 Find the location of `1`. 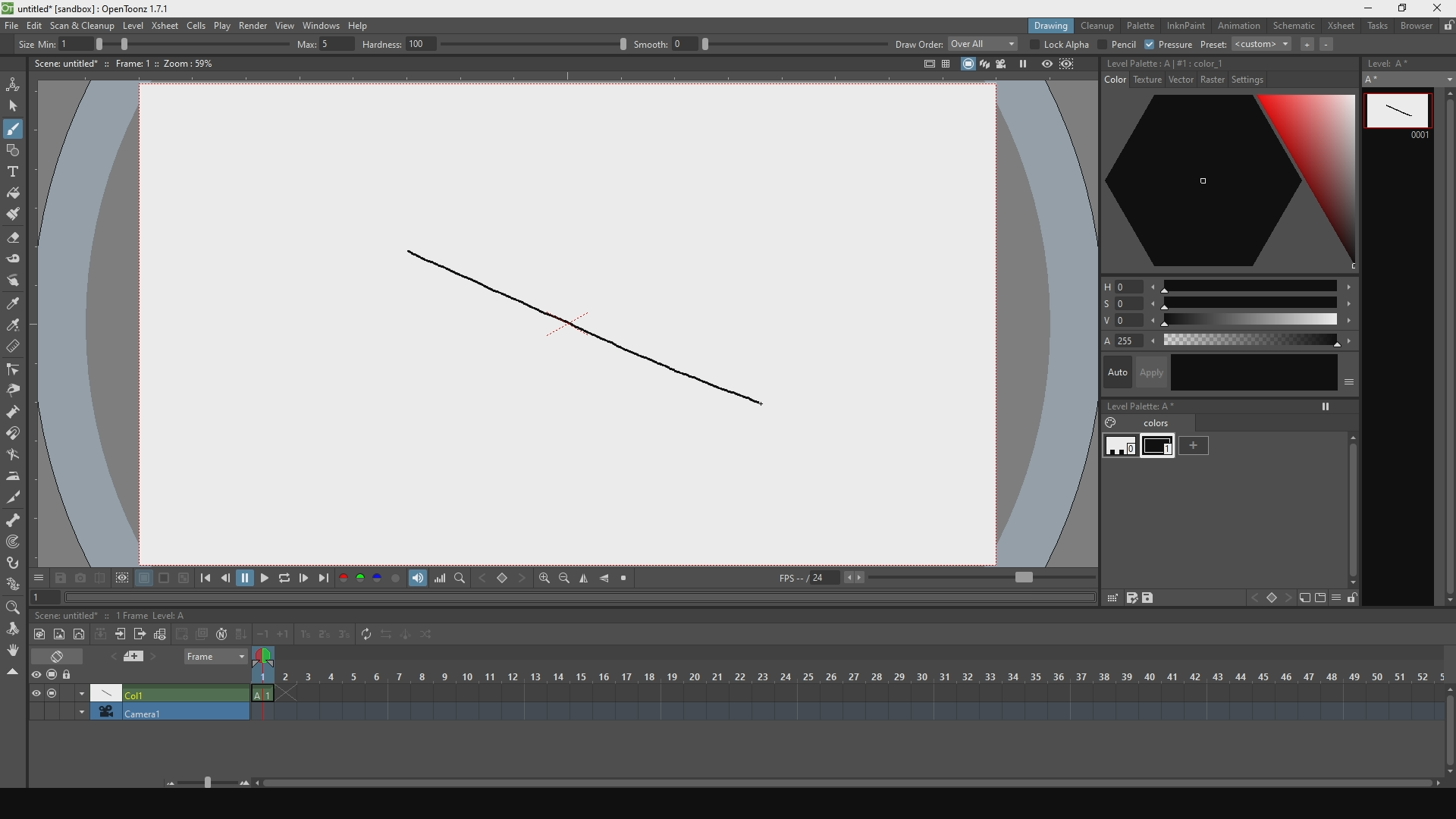

1 is located at coordinates (39, 598).